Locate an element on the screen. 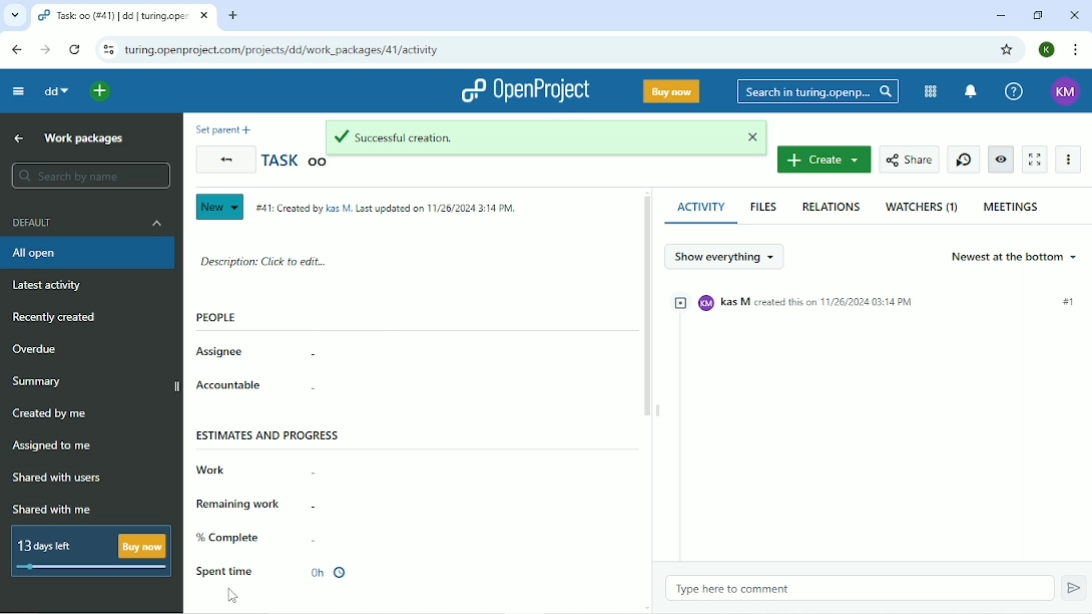  close is located at coordinates (205, 18).